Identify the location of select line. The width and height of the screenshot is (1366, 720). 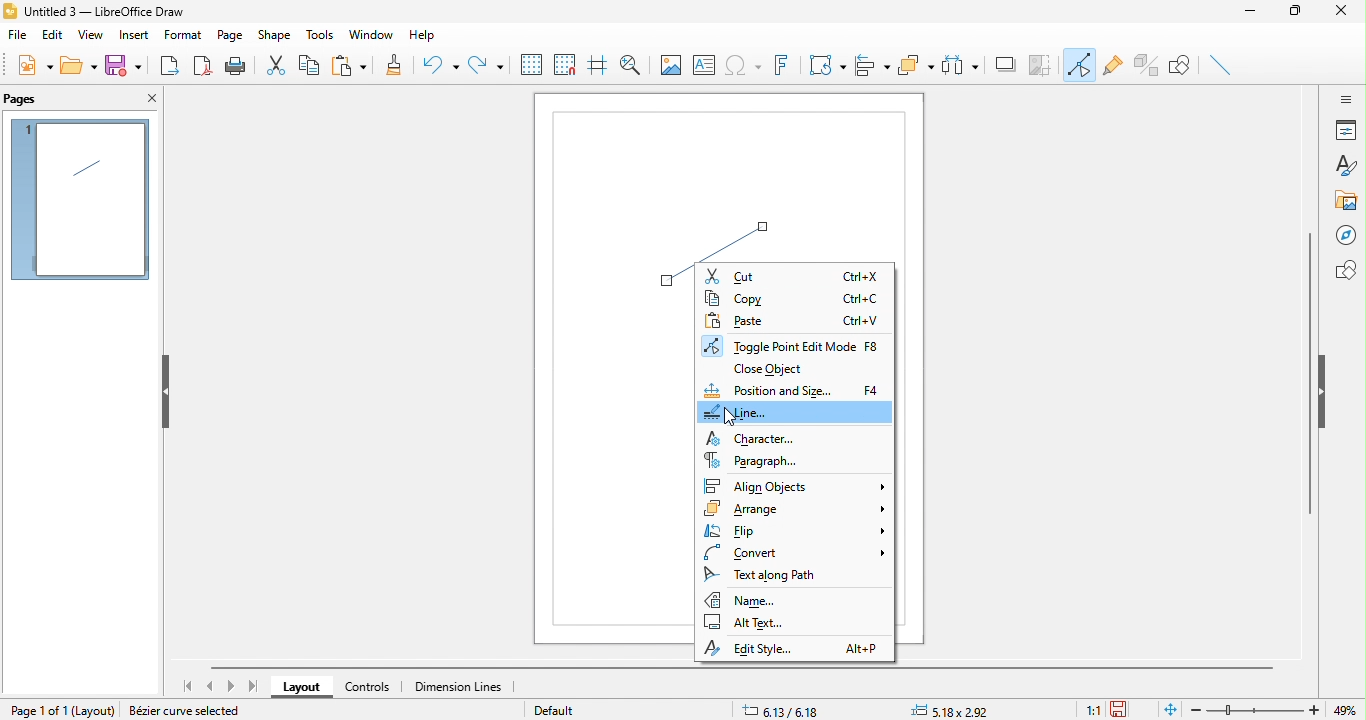
(742, 223).